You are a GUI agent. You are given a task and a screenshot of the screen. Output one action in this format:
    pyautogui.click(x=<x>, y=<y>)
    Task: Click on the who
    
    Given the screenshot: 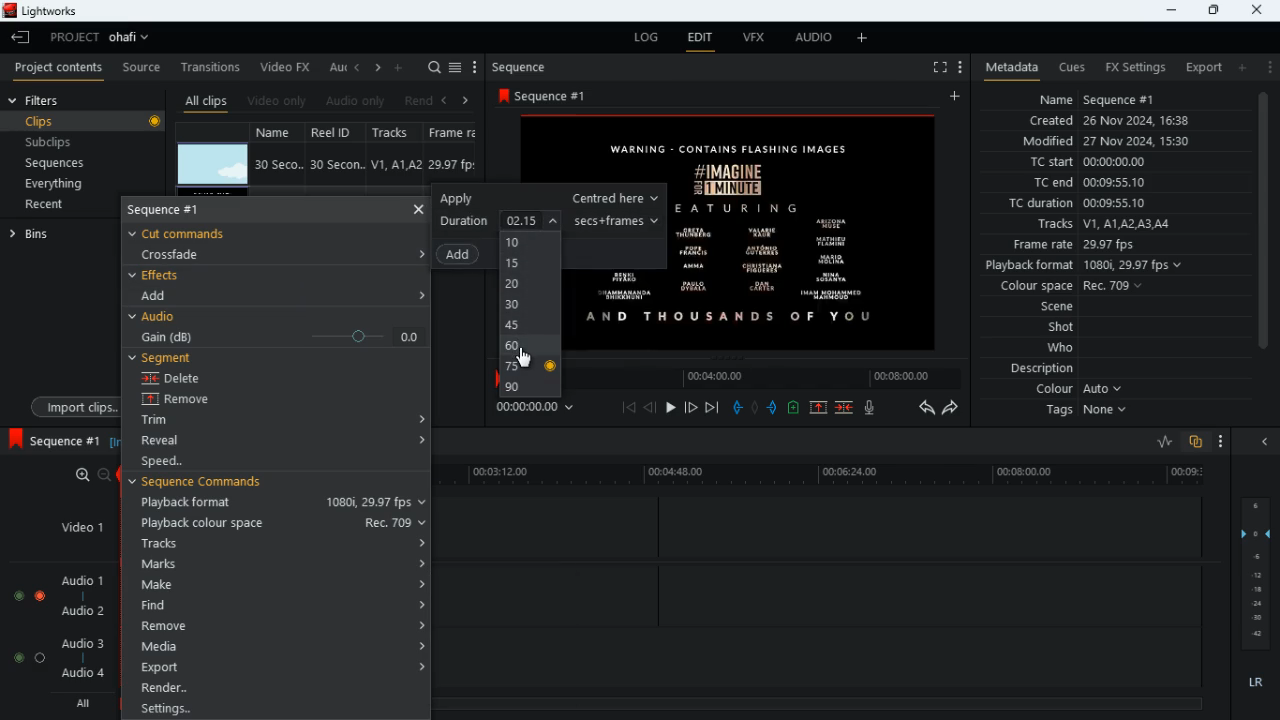 What is the action you would take?
    pyautogui.click(x=1065, y=348)
    